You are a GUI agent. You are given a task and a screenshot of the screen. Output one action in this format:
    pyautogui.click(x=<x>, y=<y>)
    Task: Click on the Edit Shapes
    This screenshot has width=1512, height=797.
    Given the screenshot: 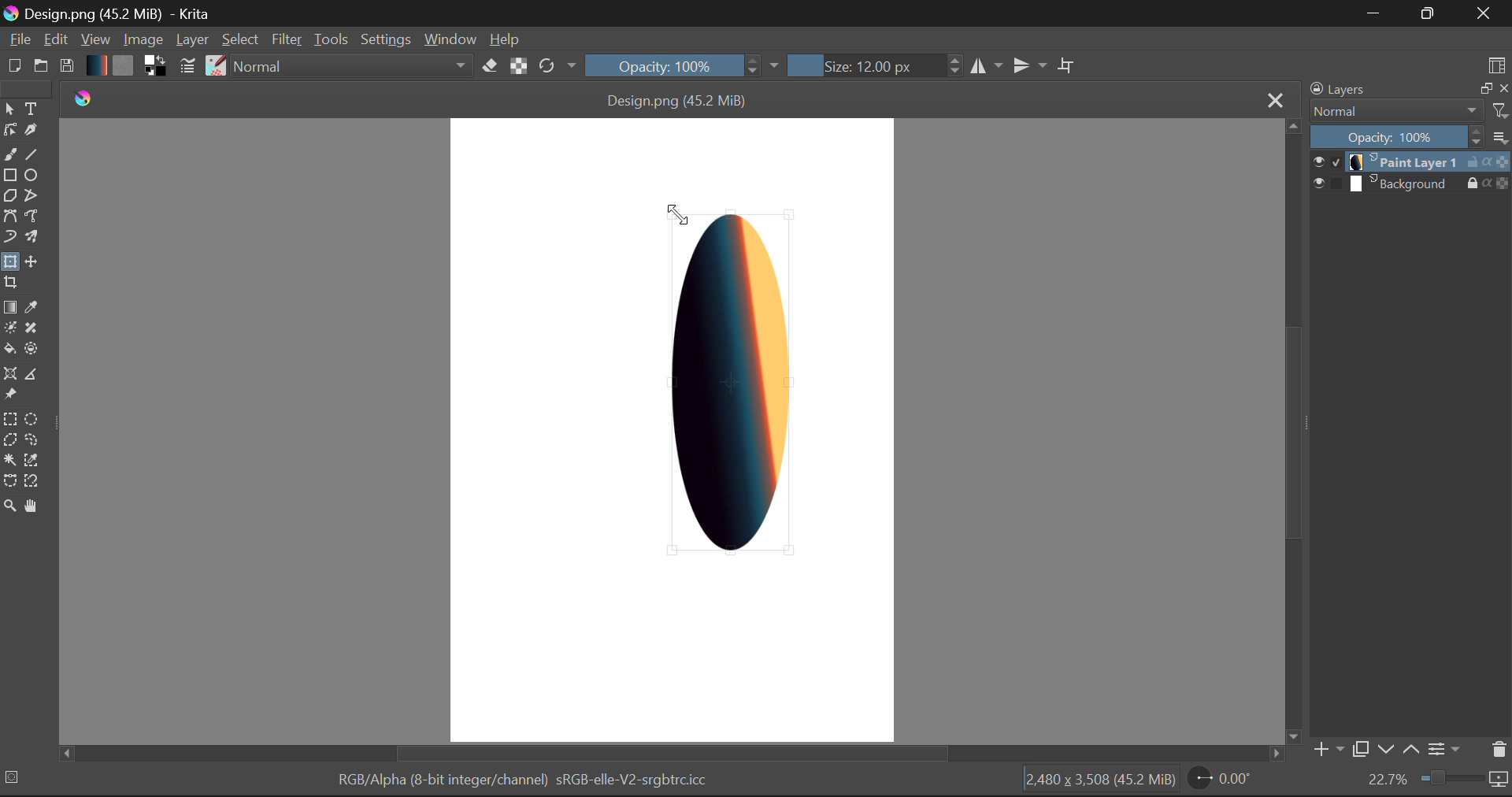 What is the action you would take?
    pyautogui.click(x=9, y=128)
    